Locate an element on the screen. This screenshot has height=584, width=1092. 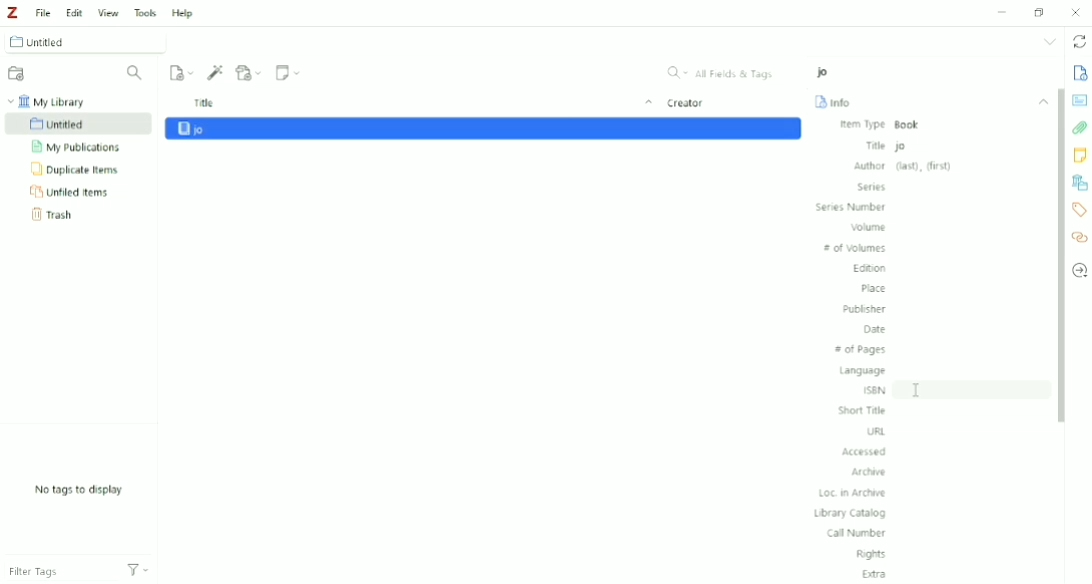
Series is located at coordinates (871, 187).